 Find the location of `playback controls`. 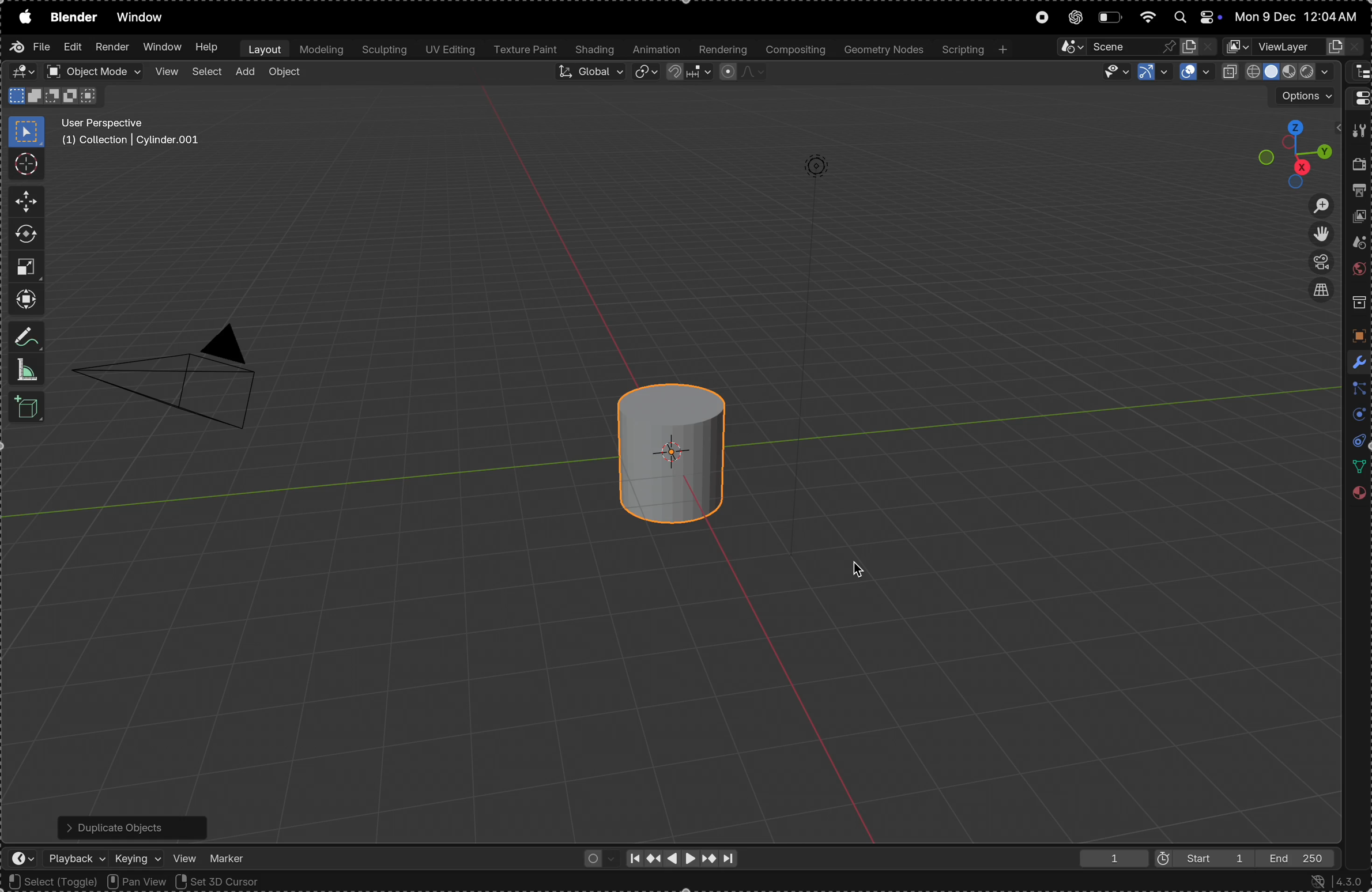

playback controls is located at coordinates (680, 856).